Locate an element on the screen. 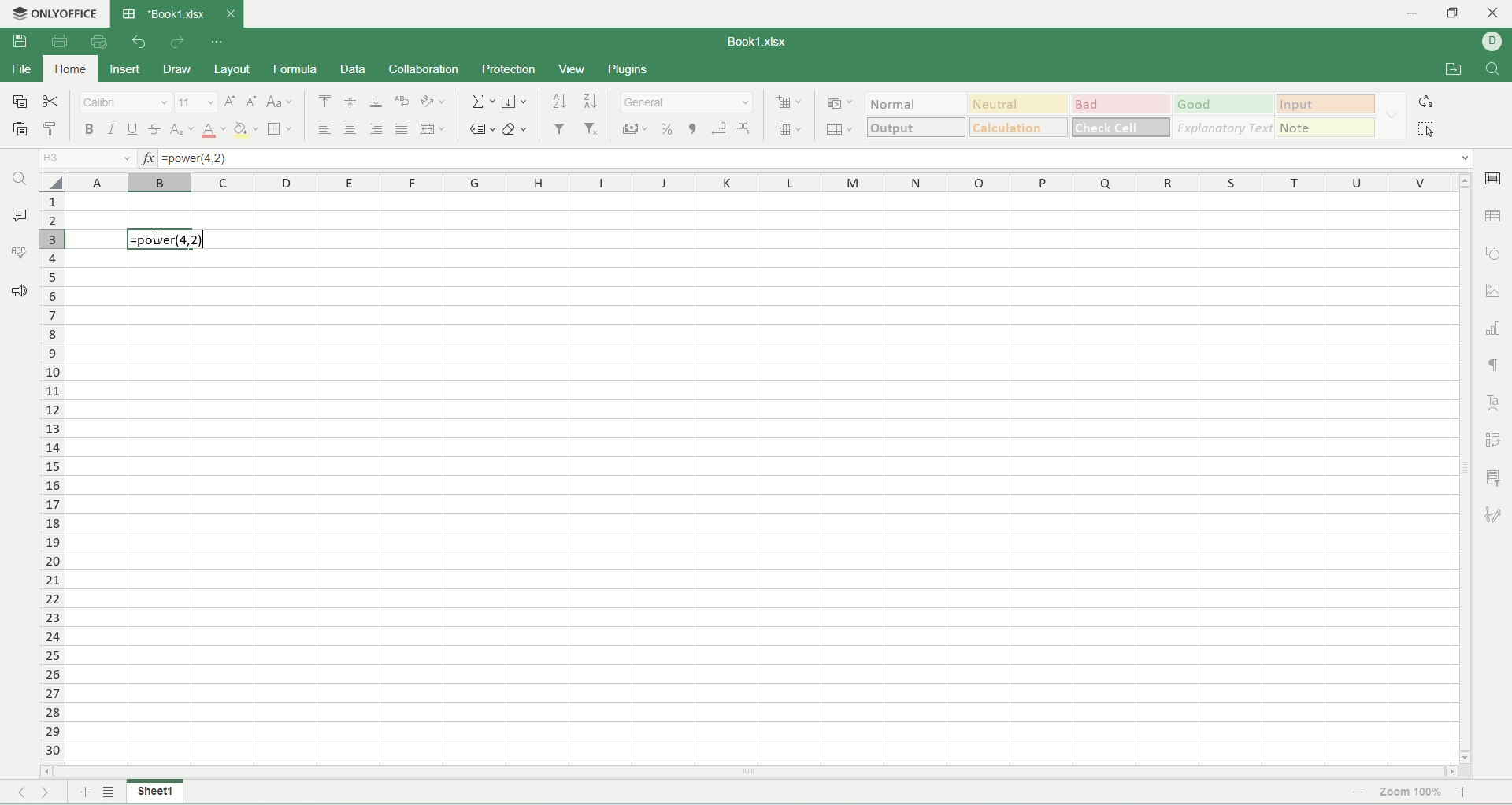  merge and center is located at coordinates (432, 129).